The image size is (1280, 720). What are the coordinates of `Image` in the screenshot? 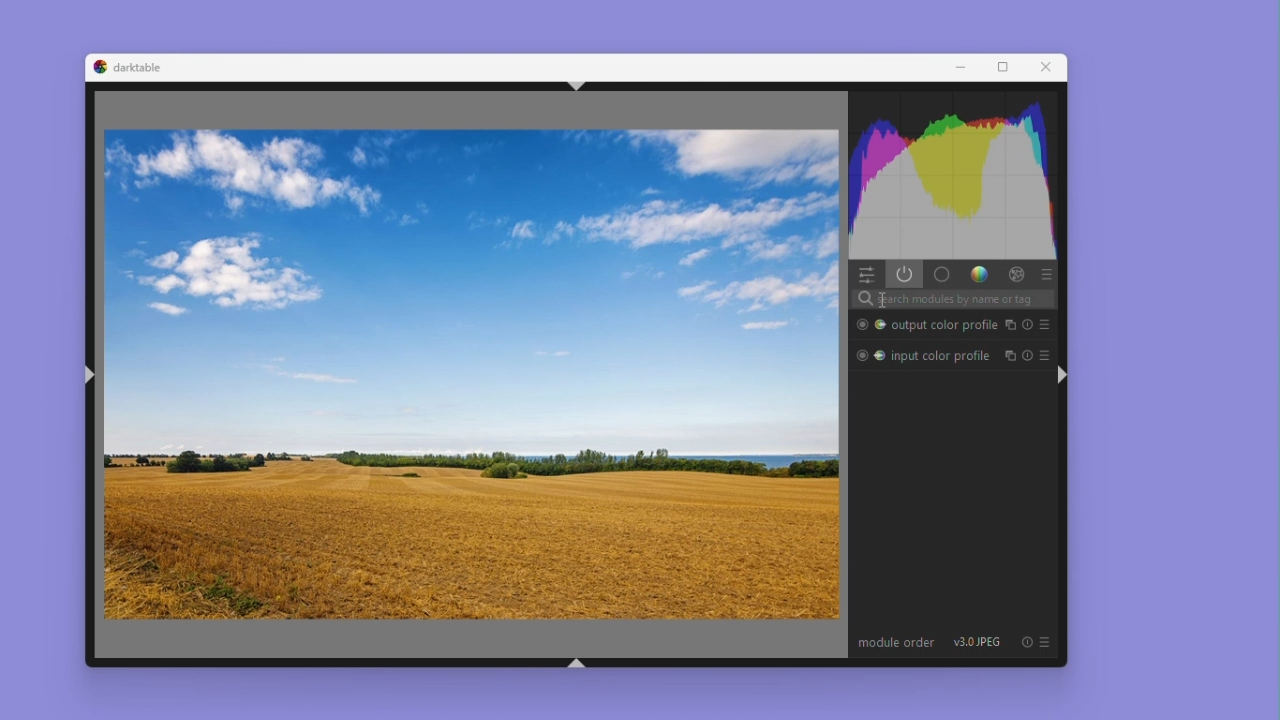 It's located at (471, 372).